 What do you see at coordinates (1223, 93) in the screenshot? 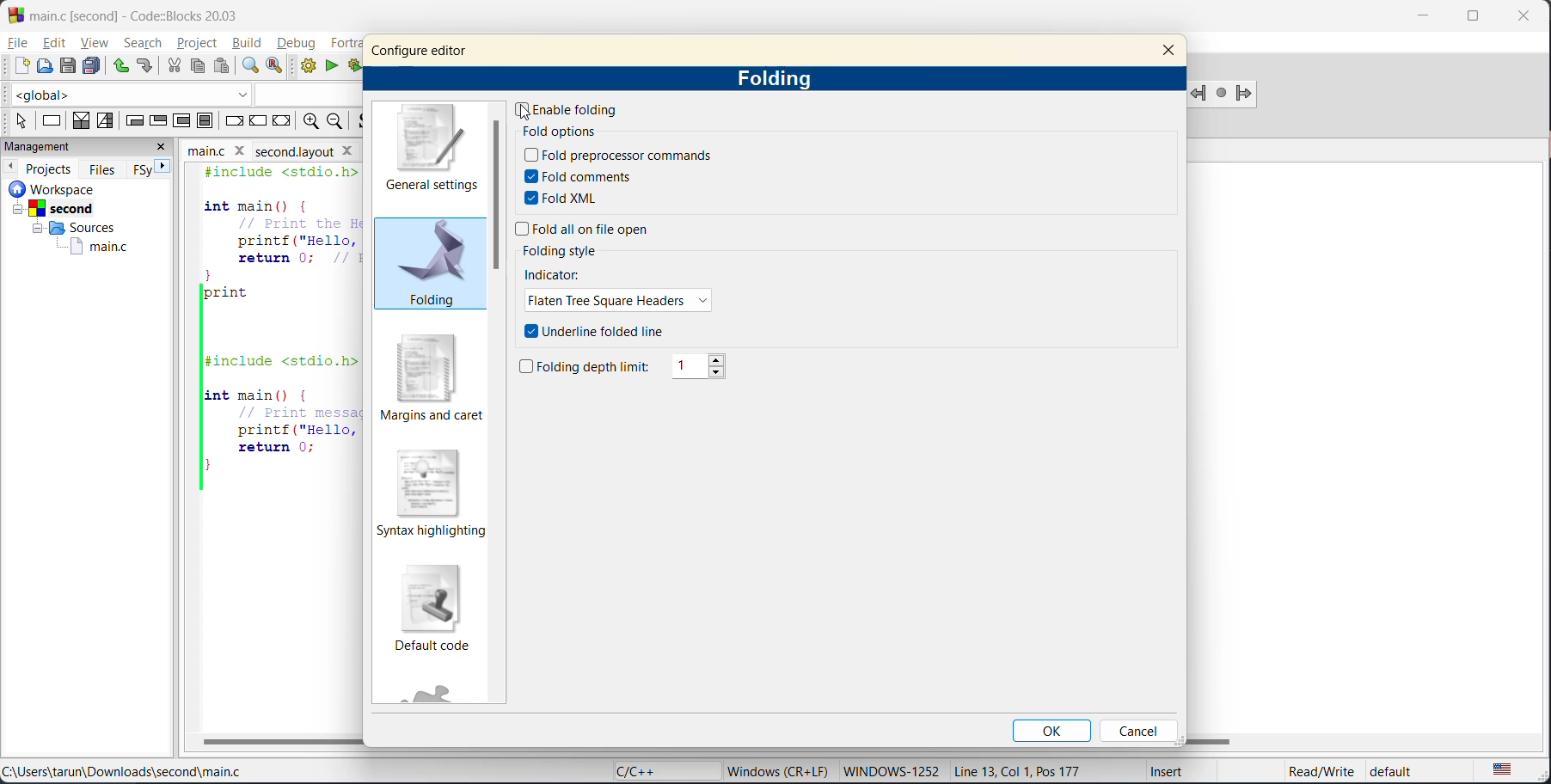
I see `last jump` at bounding box center [1223, 93].